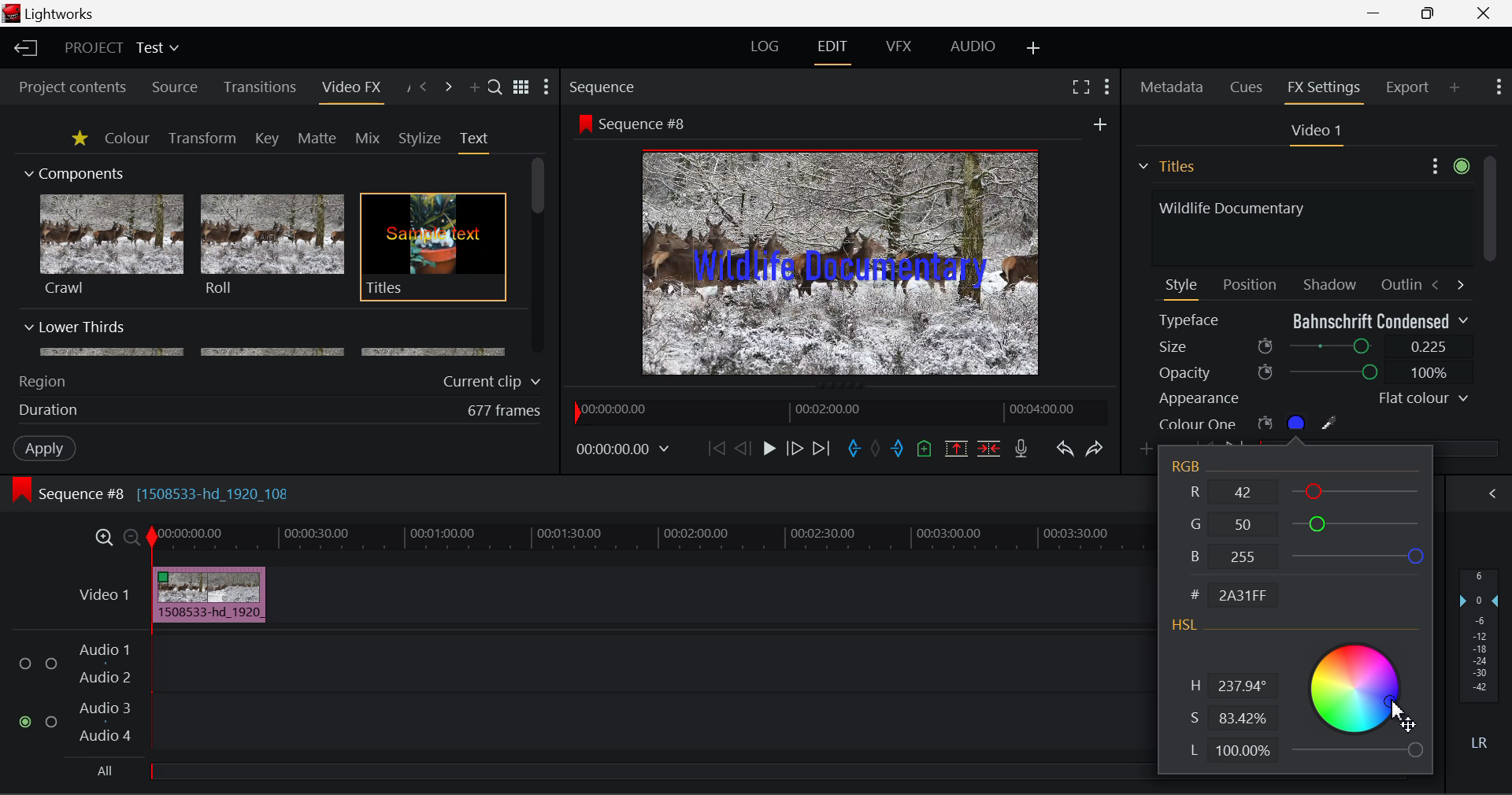  I want to click on G, so click(1306, 521).